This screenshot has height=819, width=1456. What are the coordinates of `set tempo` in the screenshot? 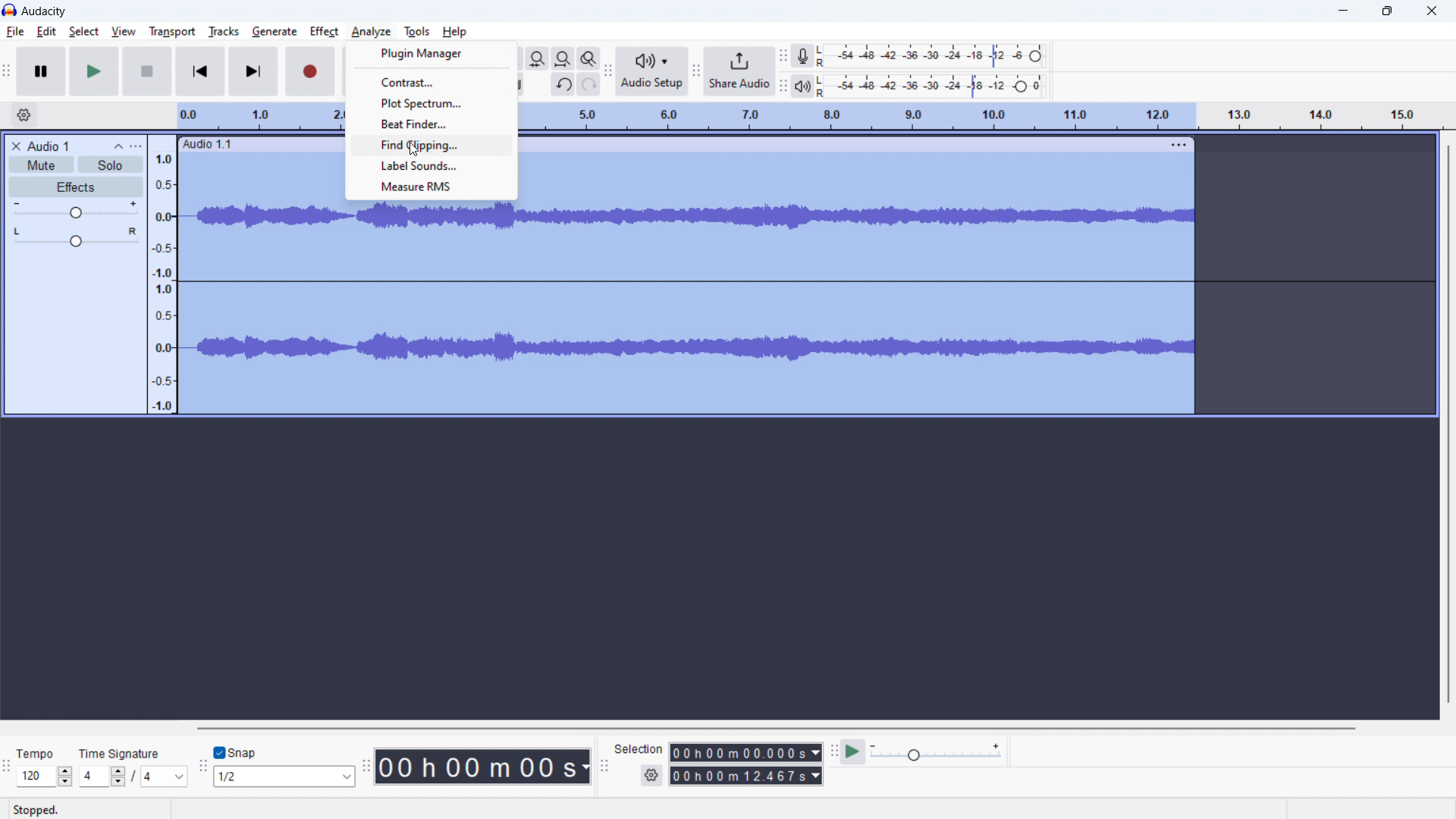 It's located at (44, 776).